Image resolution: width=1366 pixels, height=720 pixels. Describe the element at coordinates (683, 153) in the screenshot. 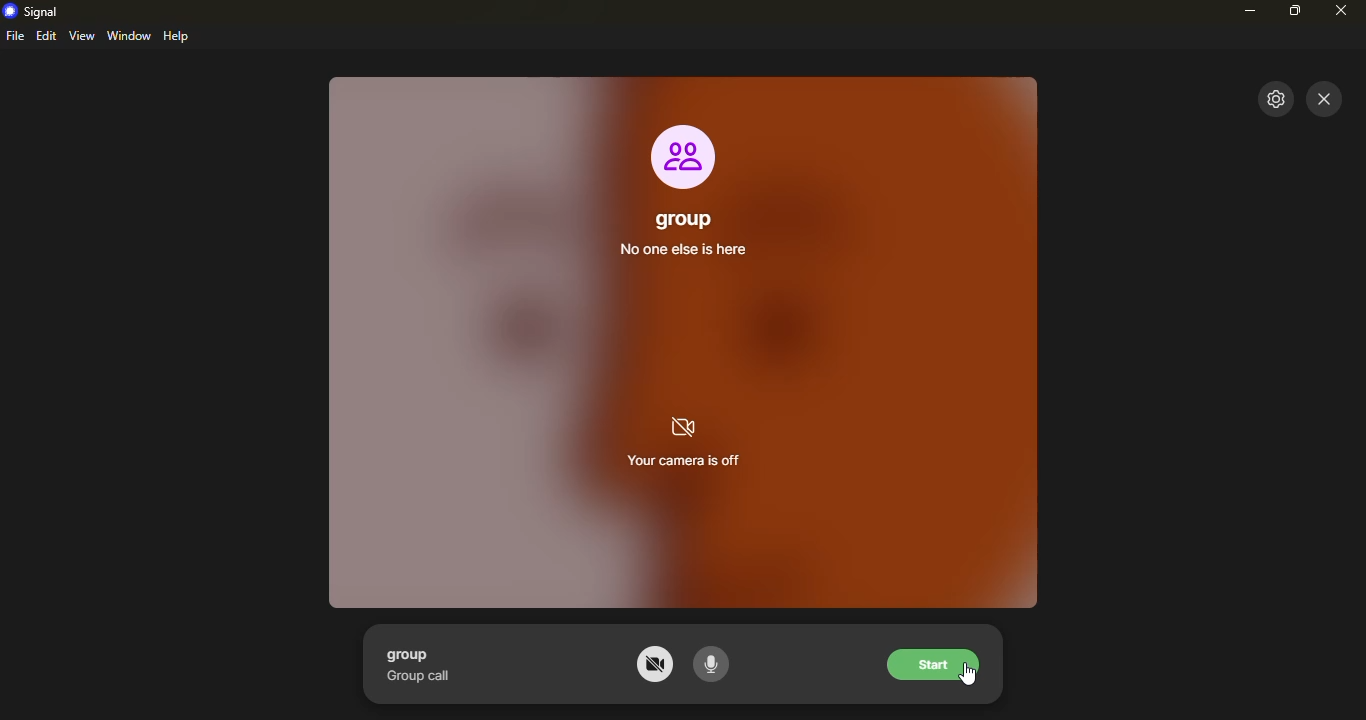

I see `profile` at that location.